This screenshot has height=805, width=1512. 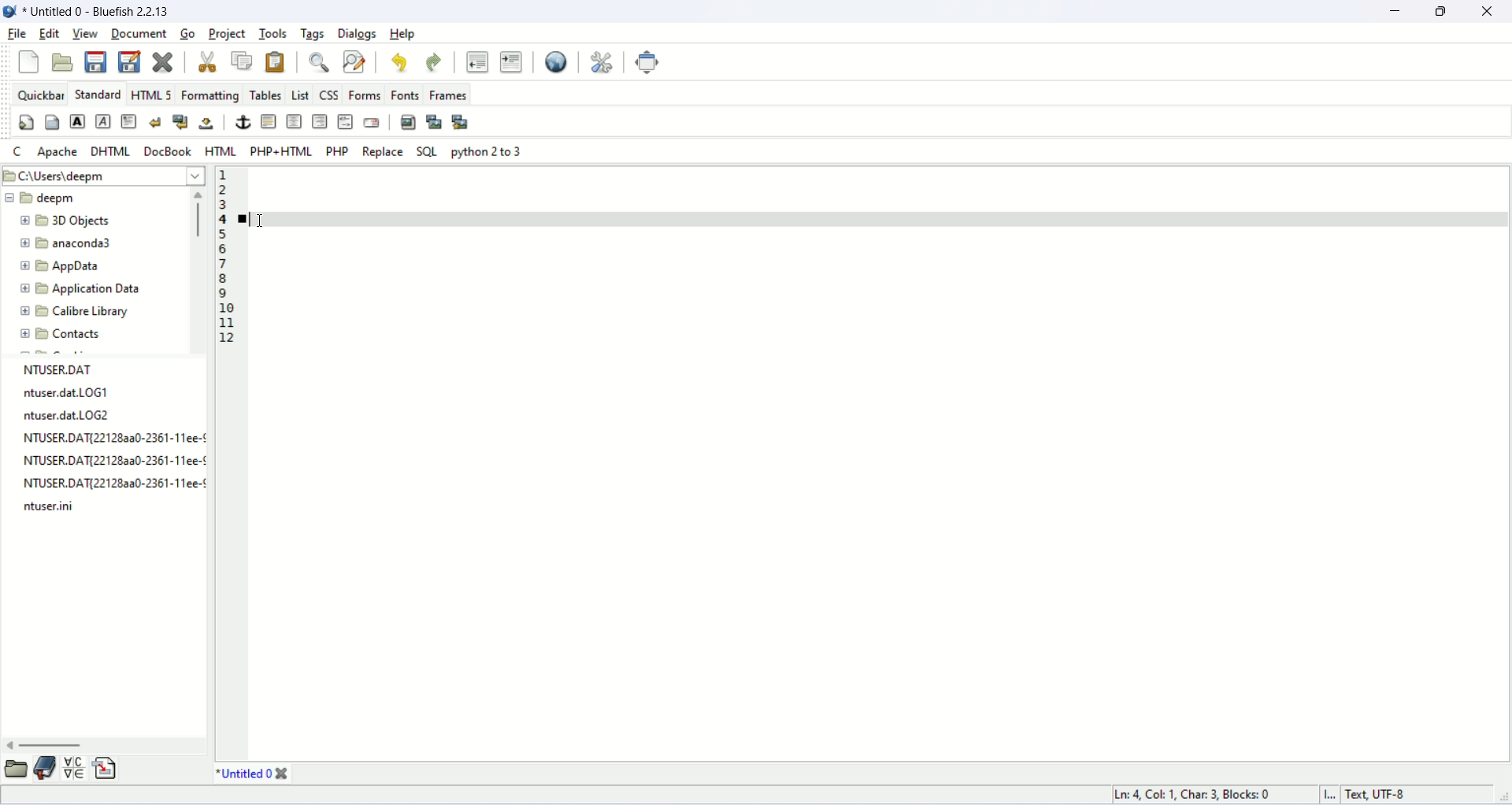 I want to click on break, so click(x=156, y=123).